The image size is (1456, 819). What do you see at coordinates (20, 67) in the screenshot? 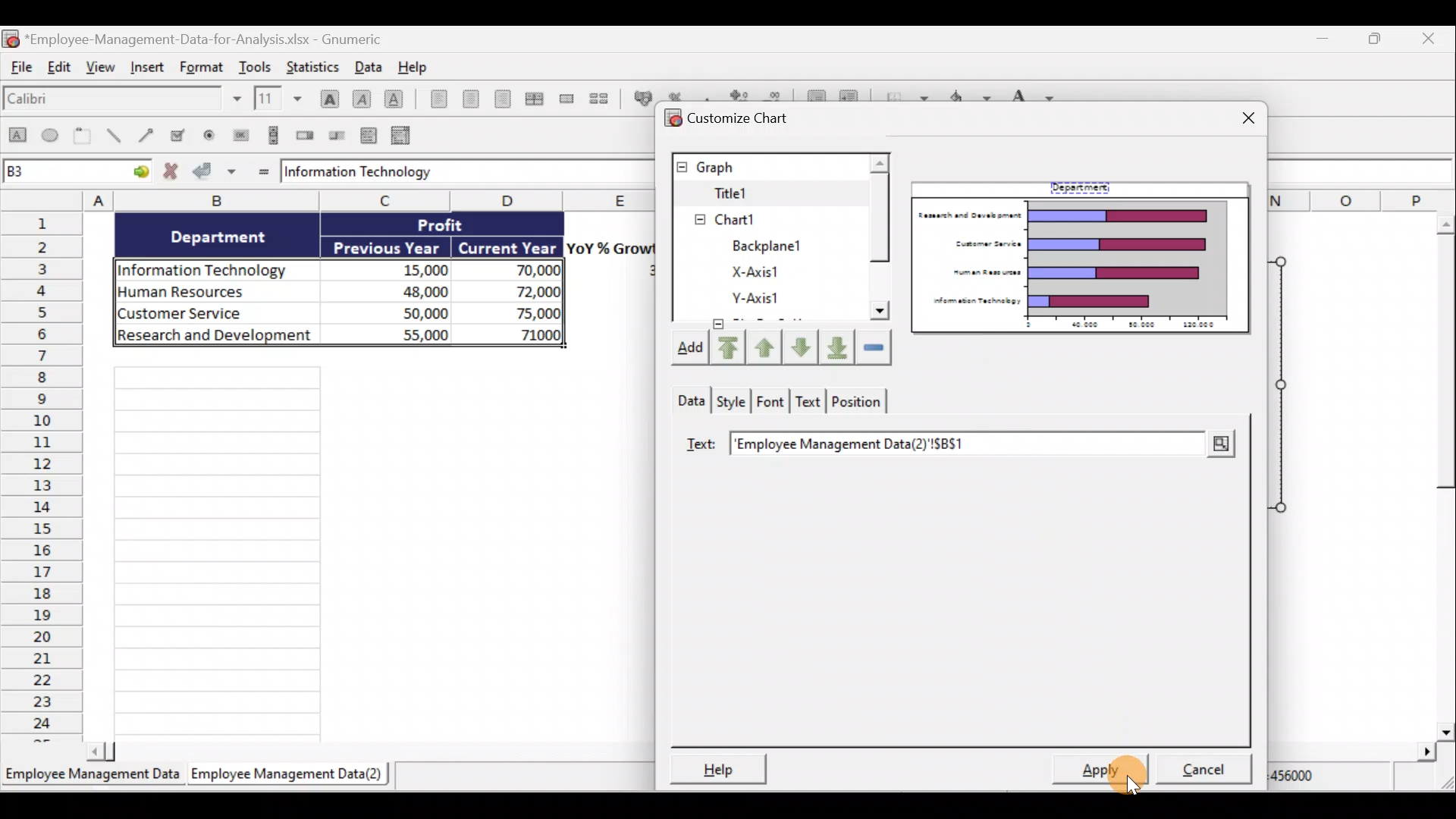
I see `File` at bounding box center [20, 67].